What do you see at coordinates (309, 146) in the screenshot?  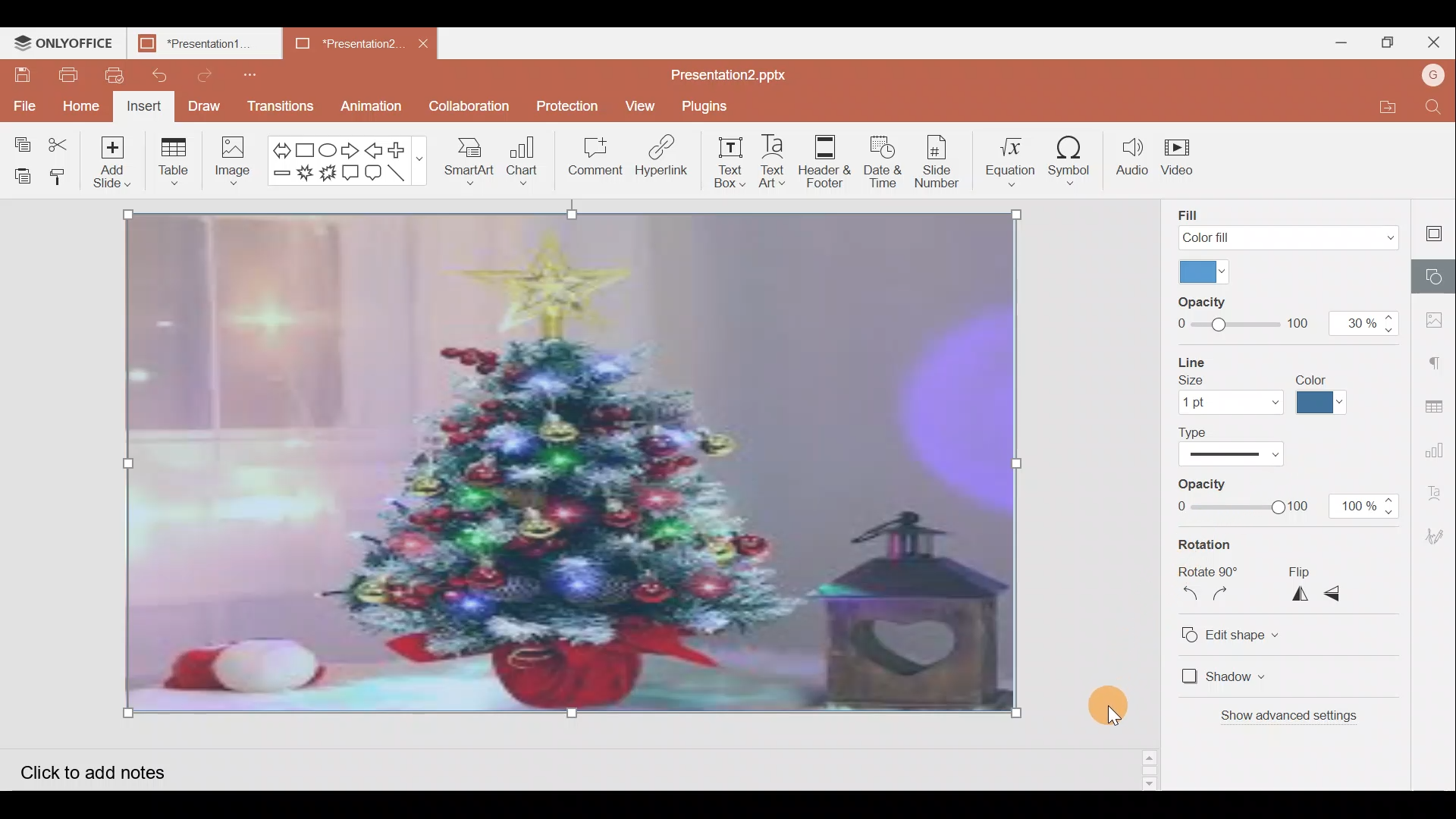 I see `Rectangle` at bounding box center [309, 146].